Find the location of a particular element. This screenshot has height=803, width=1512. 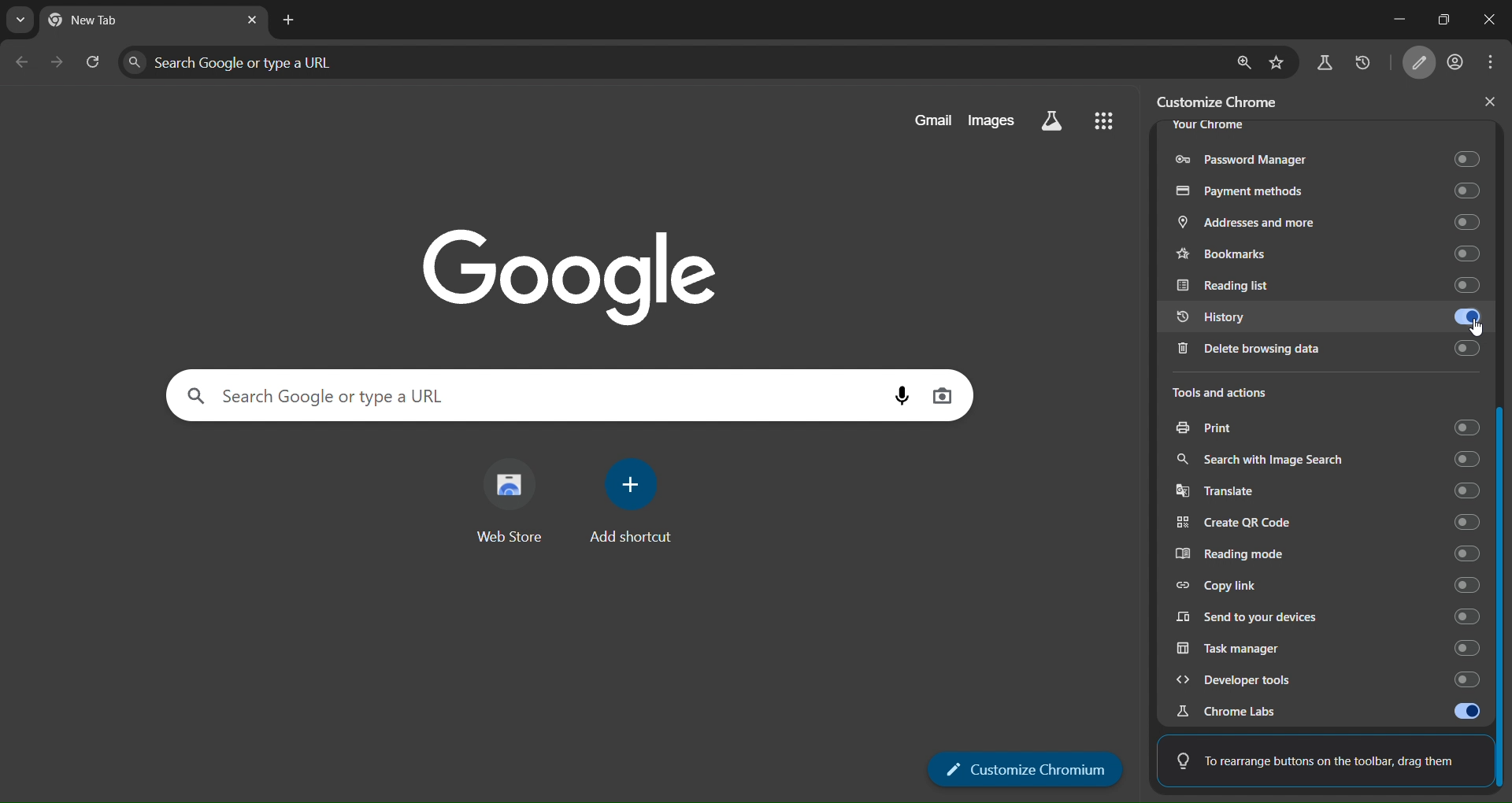

web store is located at coordinates (510, 506).